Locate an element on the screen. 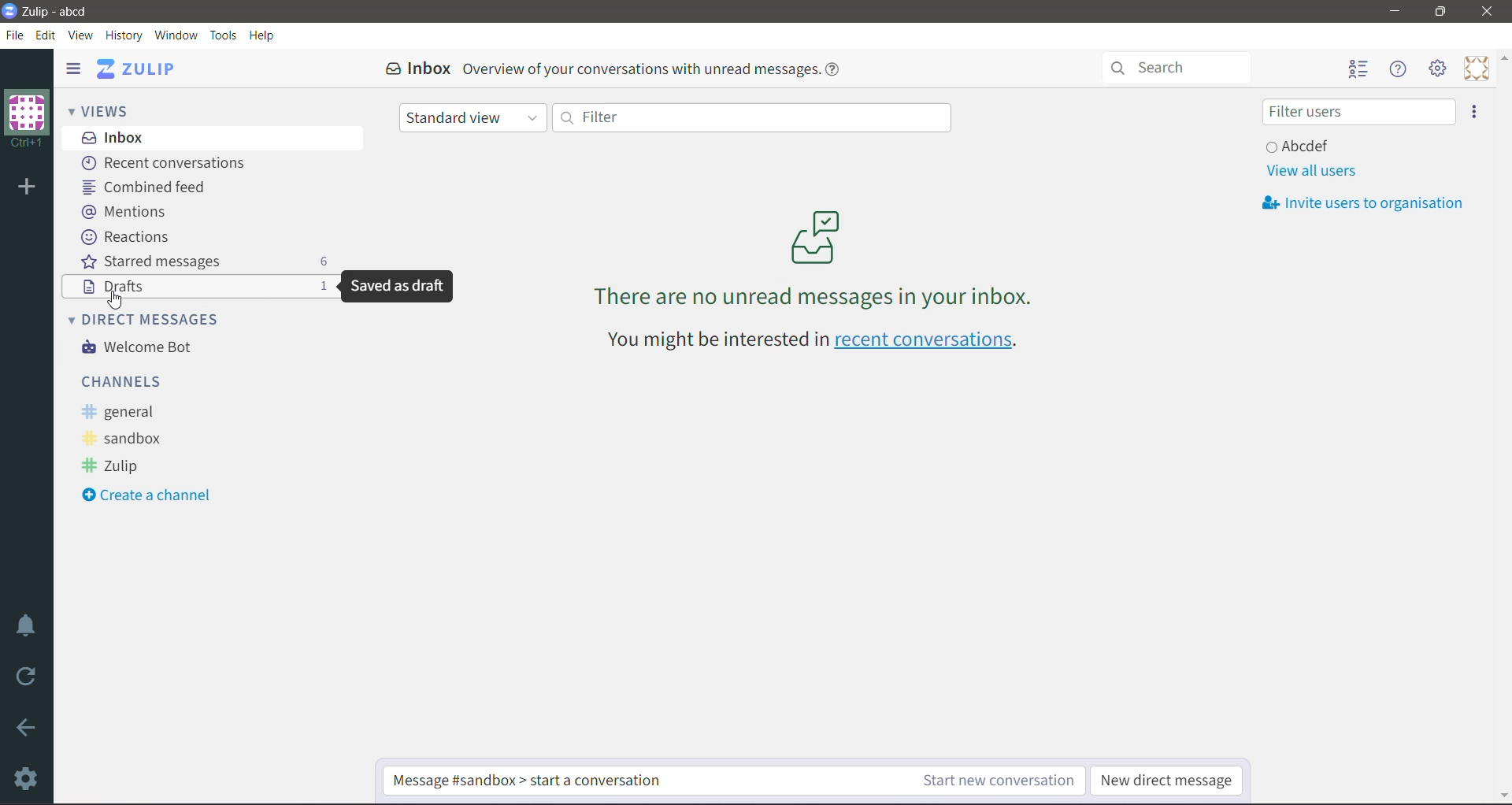 Image resolution: width=1512 pixels, height=805 pixels. Views is located at coordinates (110, 109).